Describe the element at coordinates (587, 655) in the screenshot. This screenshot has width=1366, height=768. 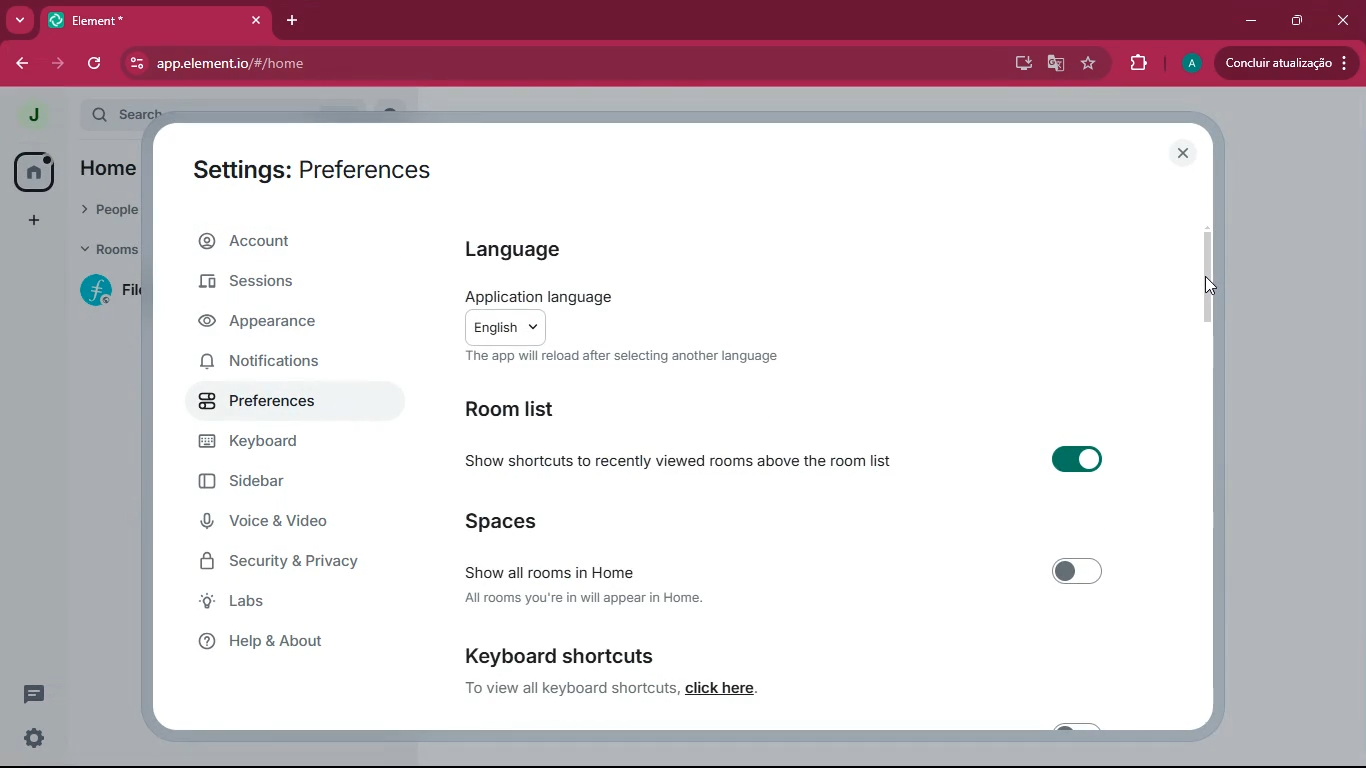
I see `keyboard shortcuts` at that location.